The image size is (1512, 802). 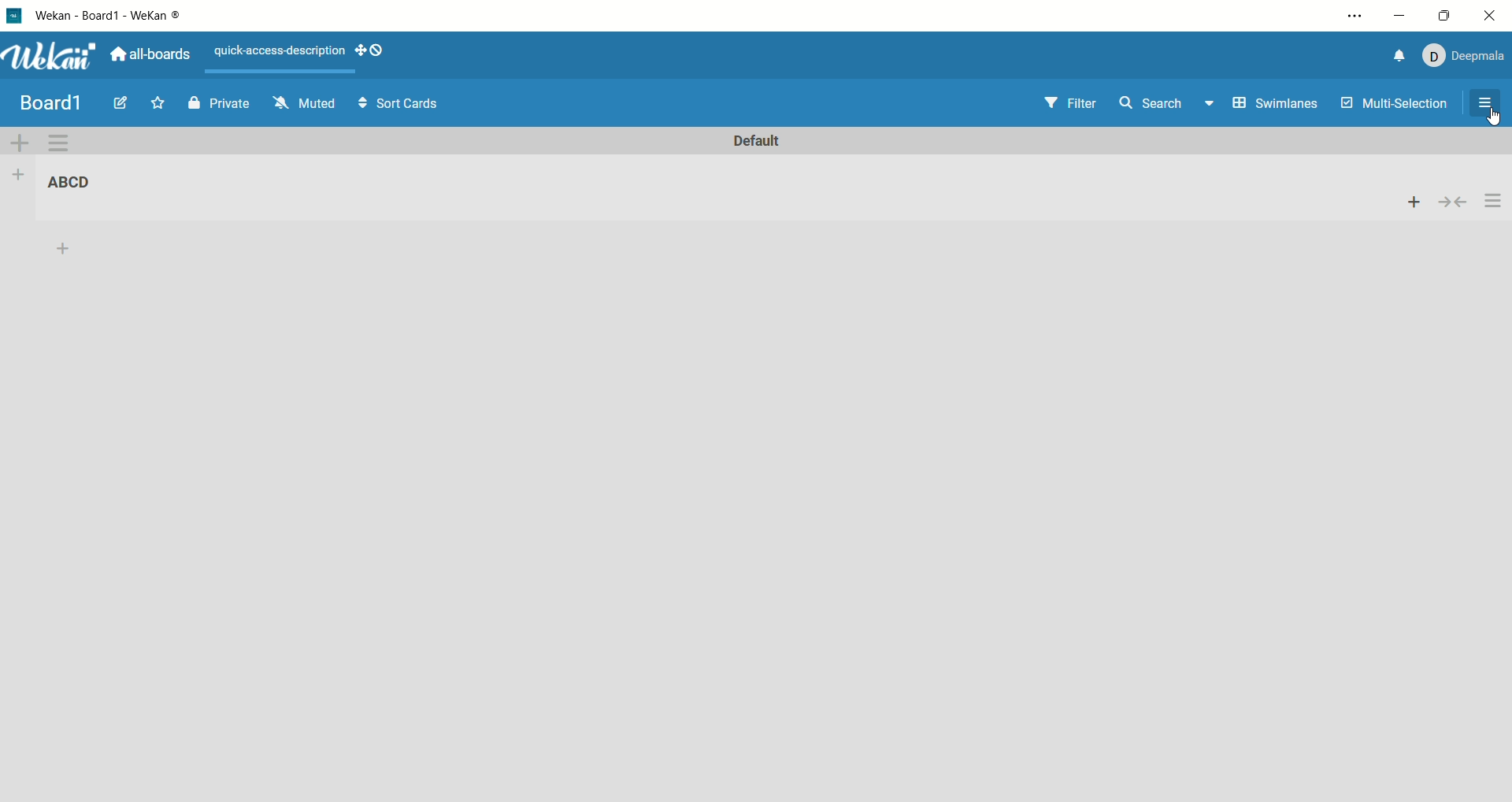 What do you see at coordinates (380, 49) in the screenshot?
I see `show-desktop-drag-handles` at bounding box center [380, 49].